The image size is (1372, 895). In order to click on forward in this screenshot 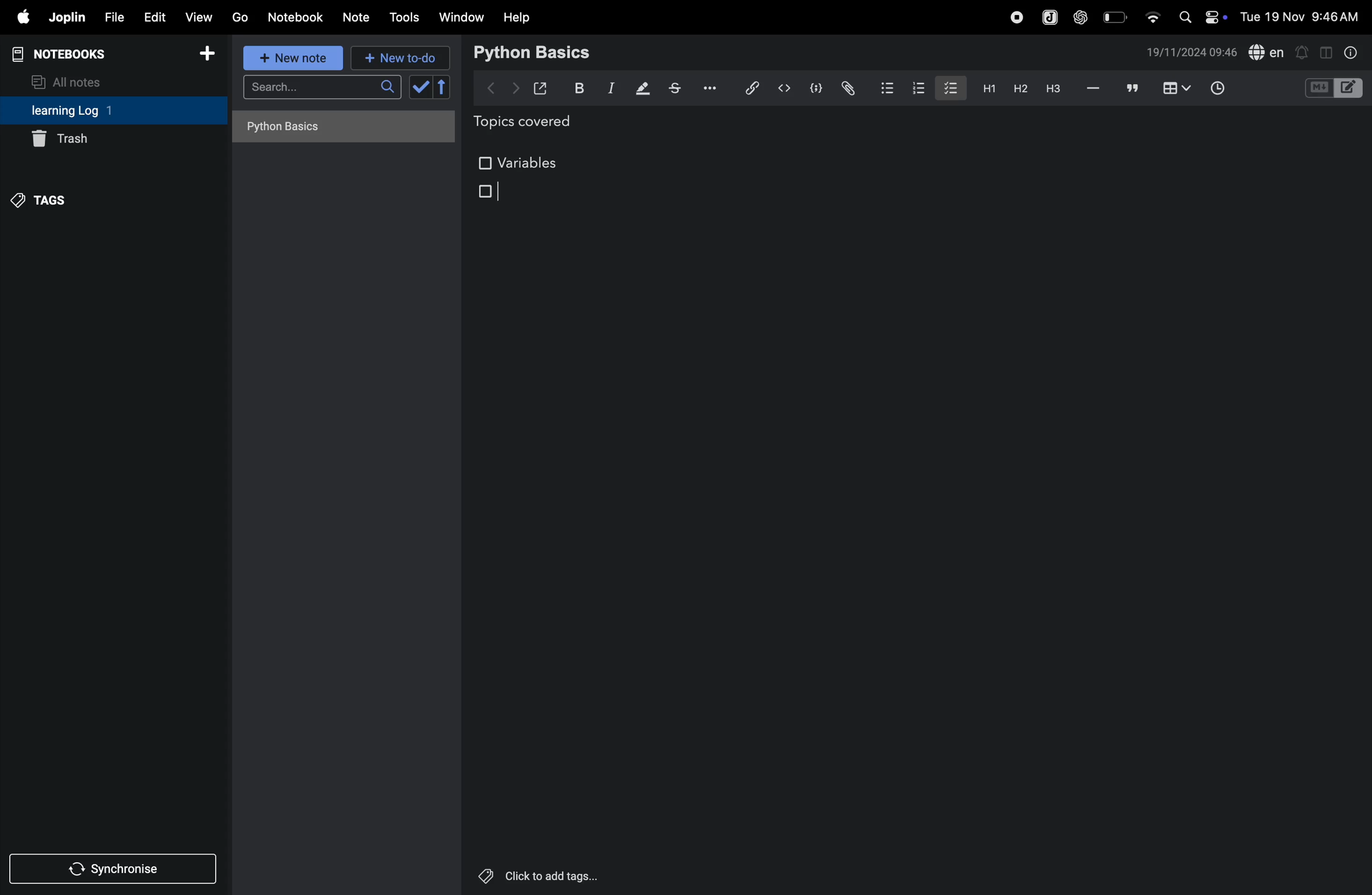, I will do `click(515, 88)`.